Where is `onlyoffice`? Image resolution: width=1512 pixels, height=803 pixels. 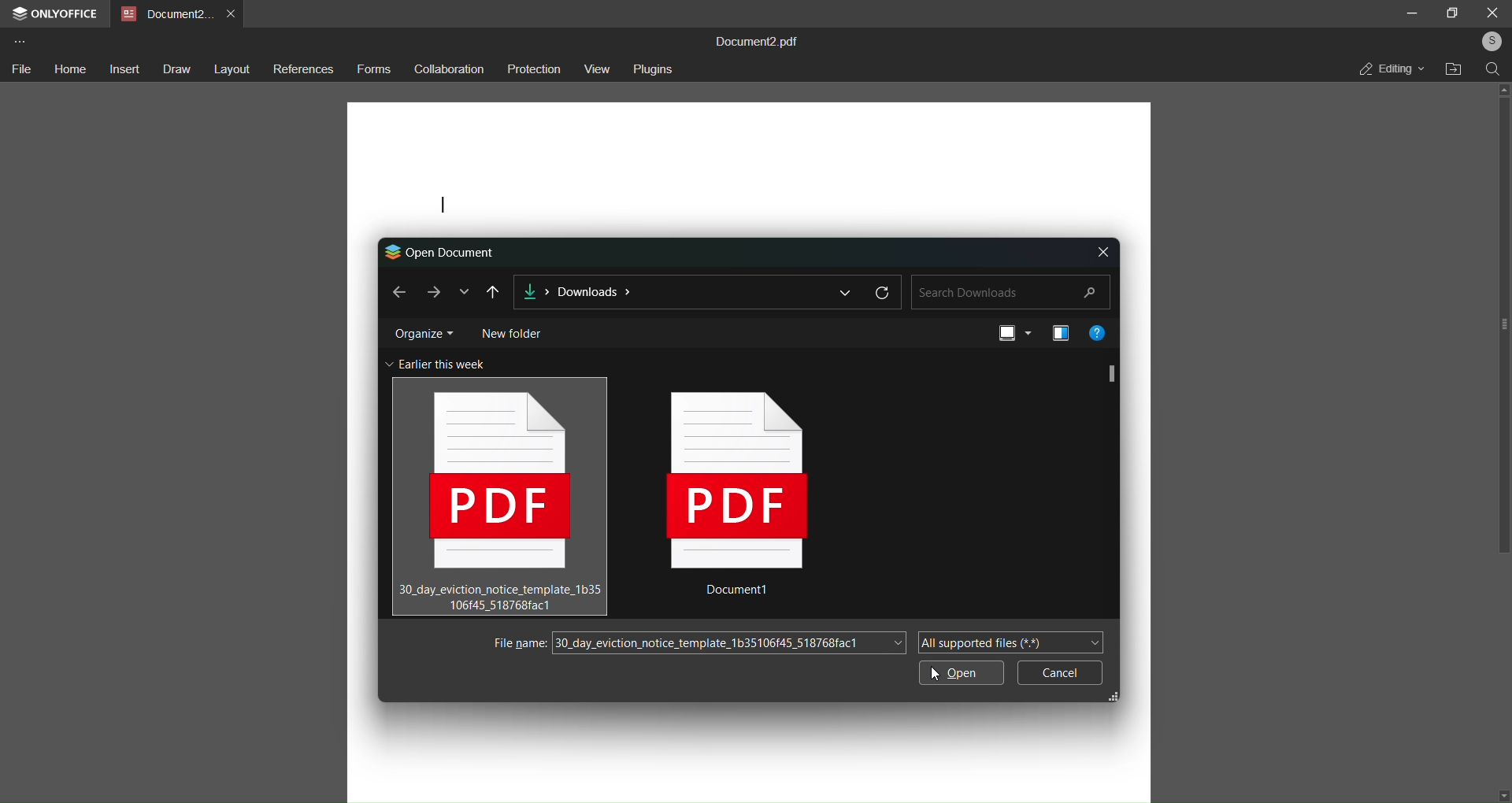
onlyoffice is located at coordinates (57, 15).